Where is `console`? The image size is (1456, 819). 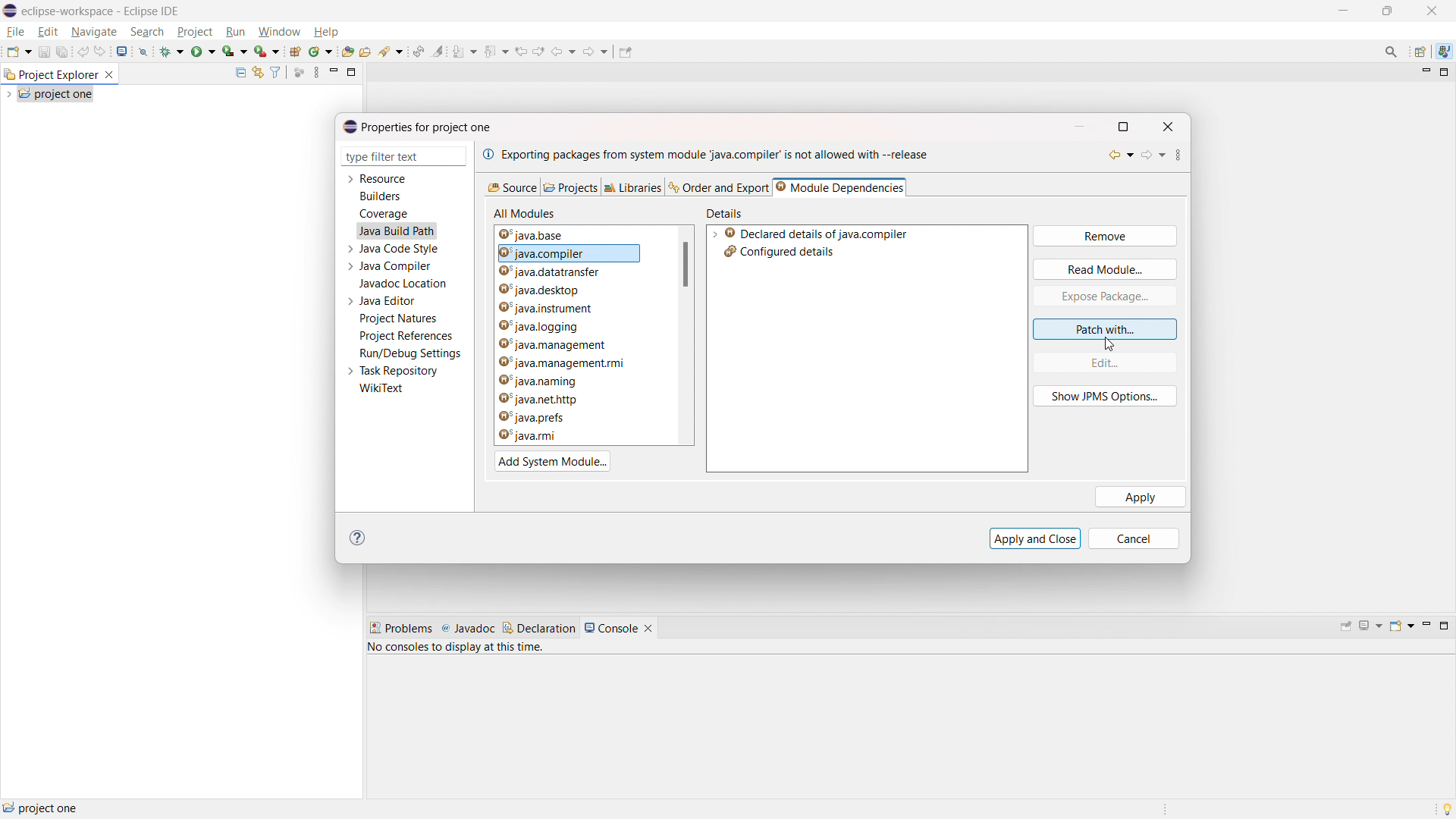
console is located at coordinates (611, 628).